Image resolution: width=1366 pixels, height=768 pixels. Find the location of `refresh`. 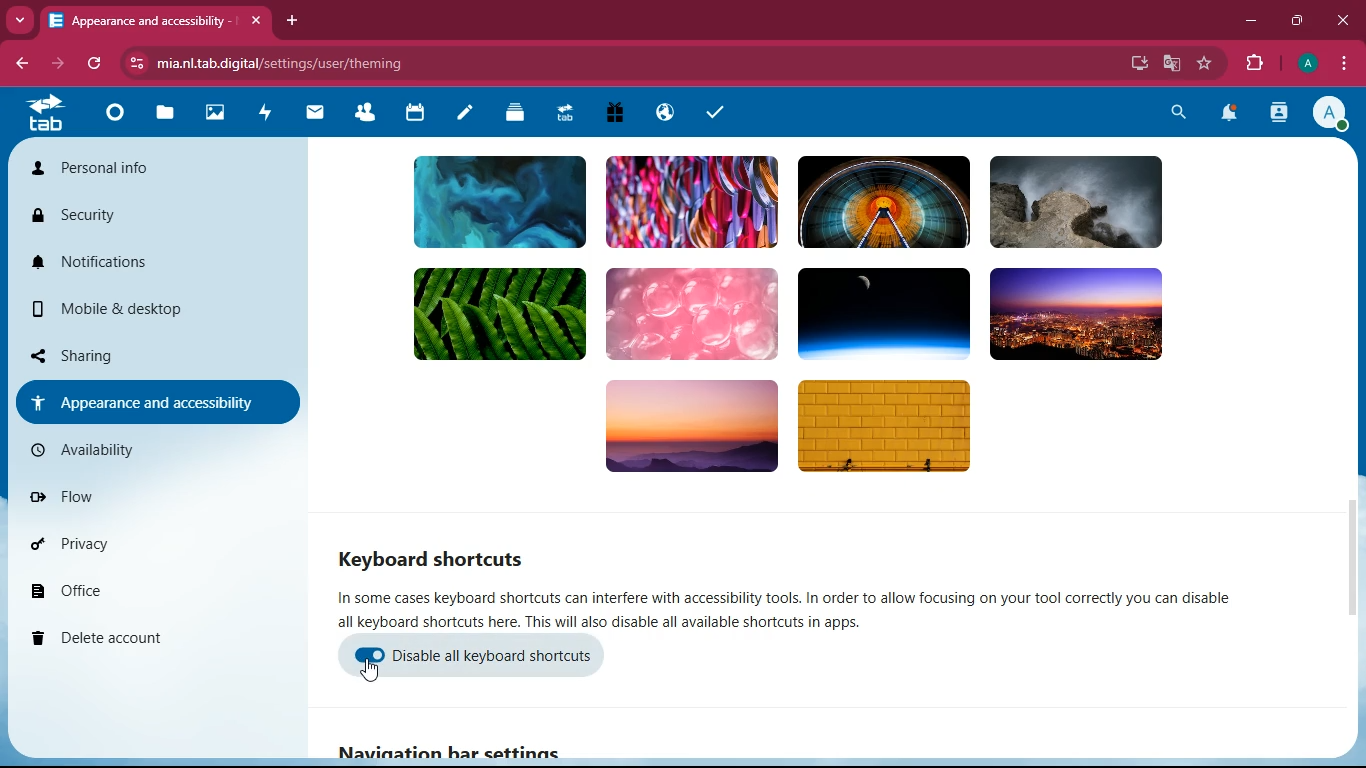

refresh is located at coordinates (96, 64).